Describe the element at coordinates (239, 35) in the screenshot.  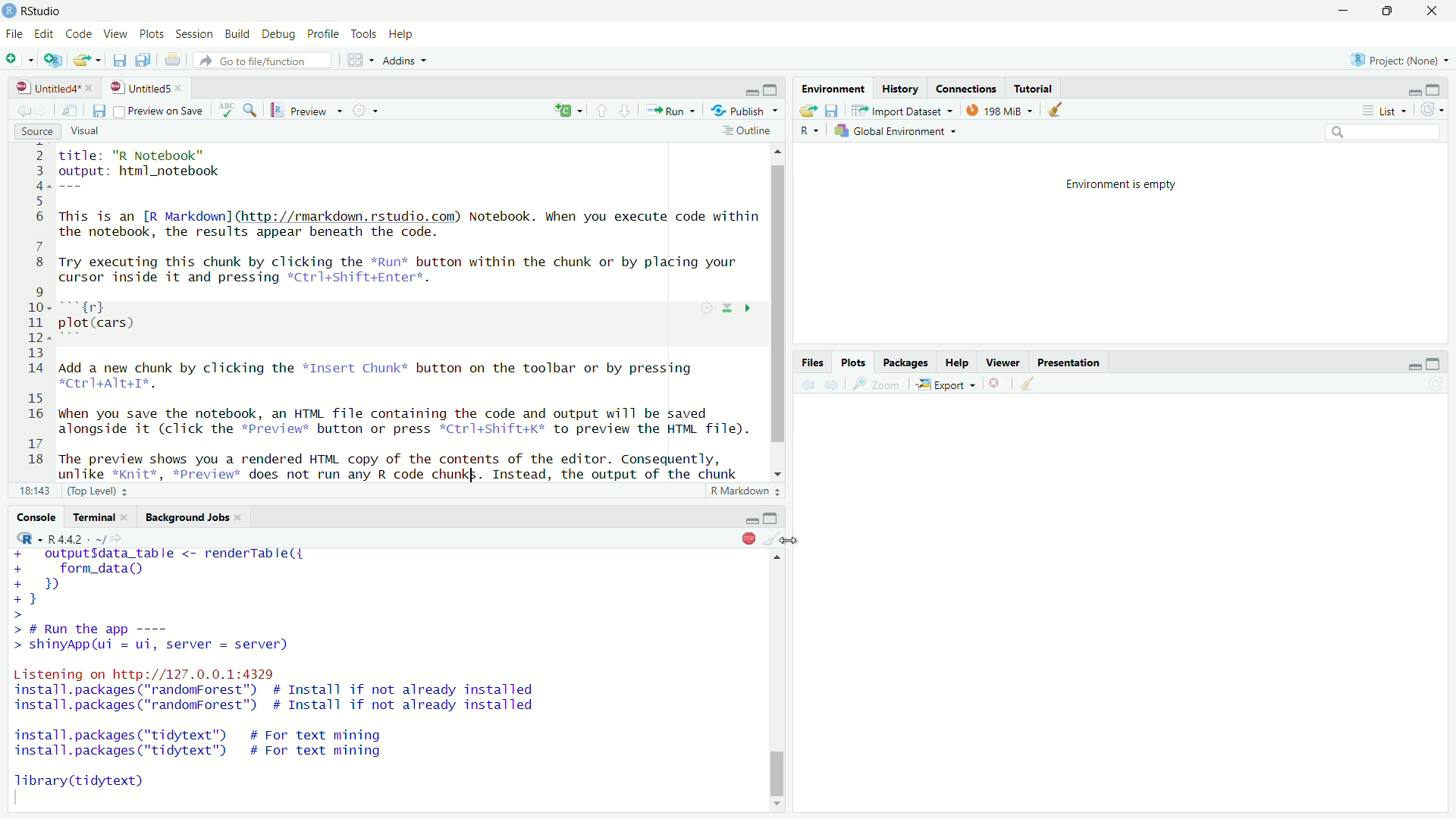
I see `Build` at that location.